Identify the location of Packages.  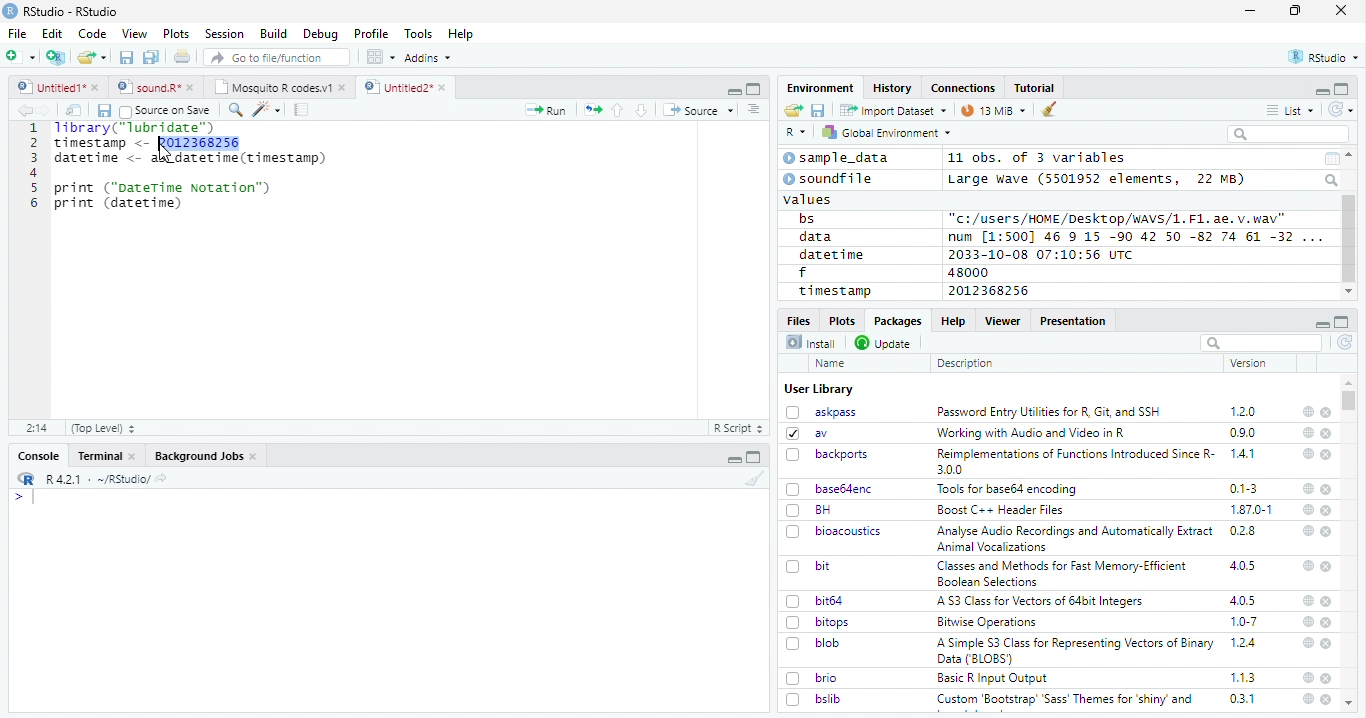
(896, 321).